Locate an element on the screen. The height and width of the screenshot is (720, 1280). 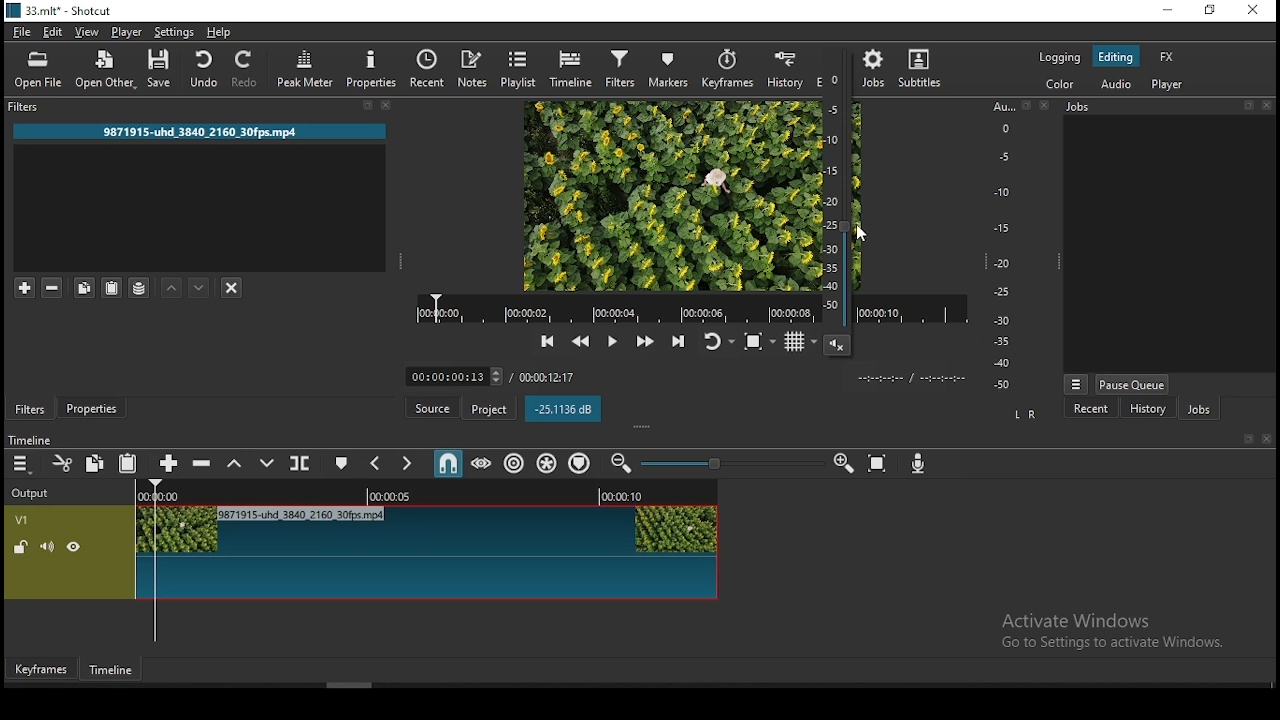
toggle zoom is located at coordinates (758, 344).